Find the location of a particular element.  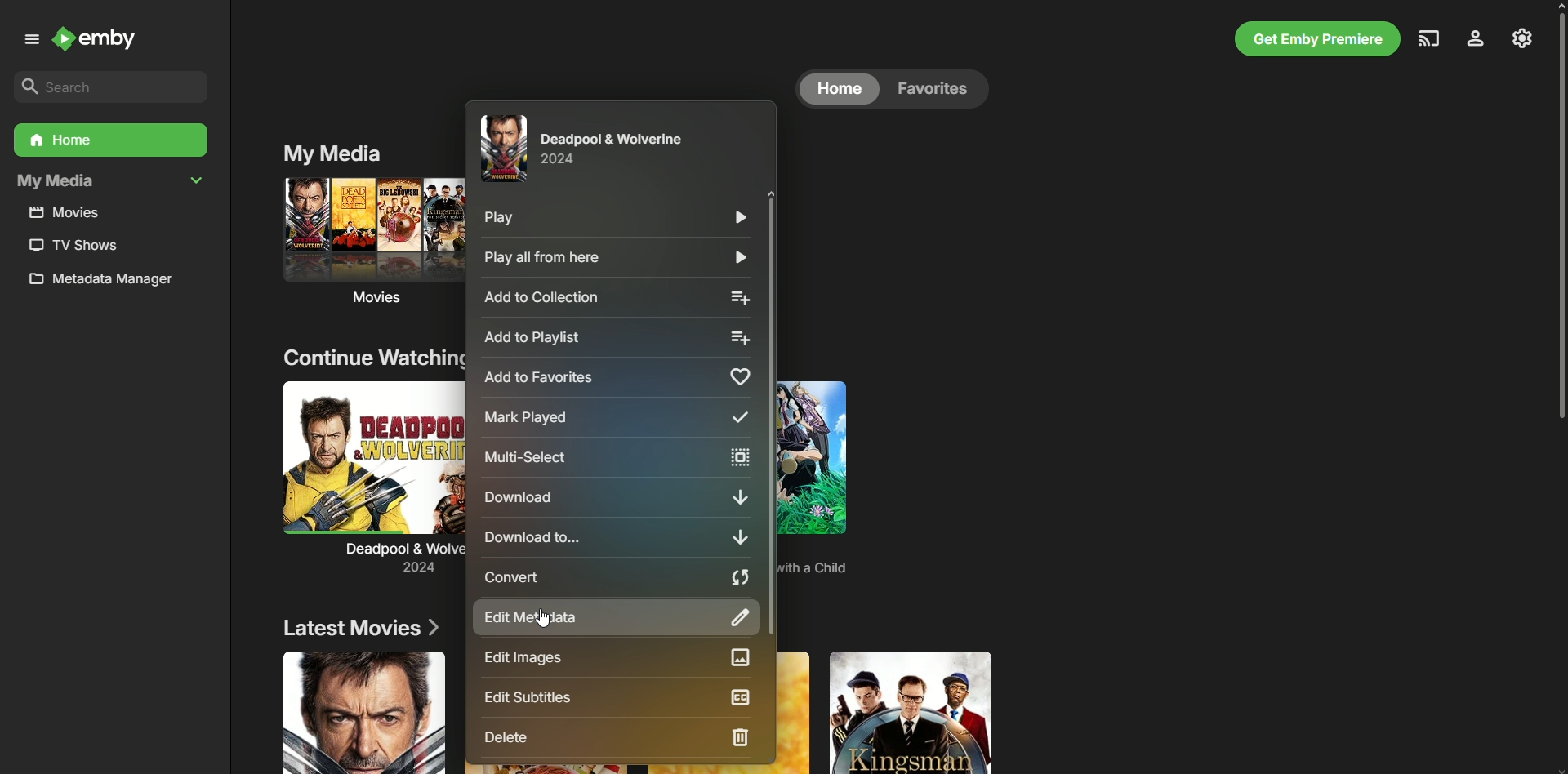

Play is located at coordinates (615, 220).